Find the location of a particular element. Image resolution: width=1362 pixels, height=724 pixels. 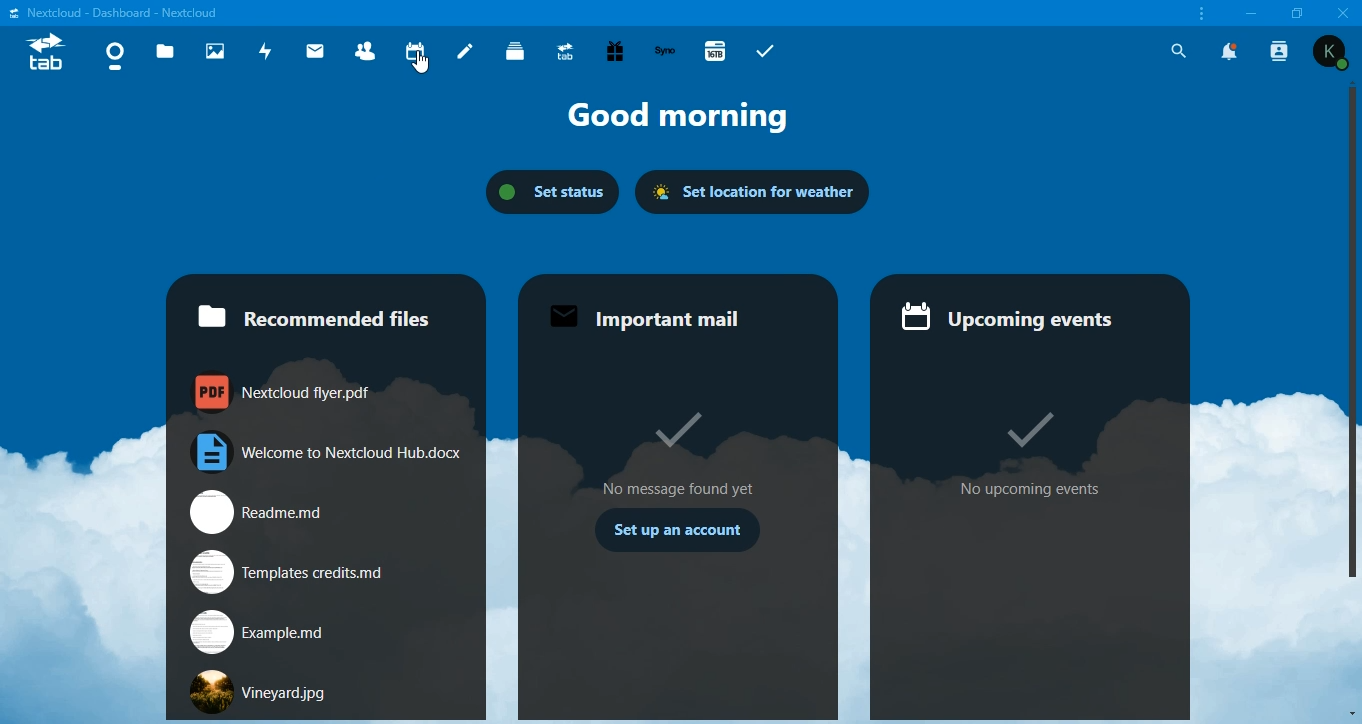

calendar is located at coordinates (415, 50).